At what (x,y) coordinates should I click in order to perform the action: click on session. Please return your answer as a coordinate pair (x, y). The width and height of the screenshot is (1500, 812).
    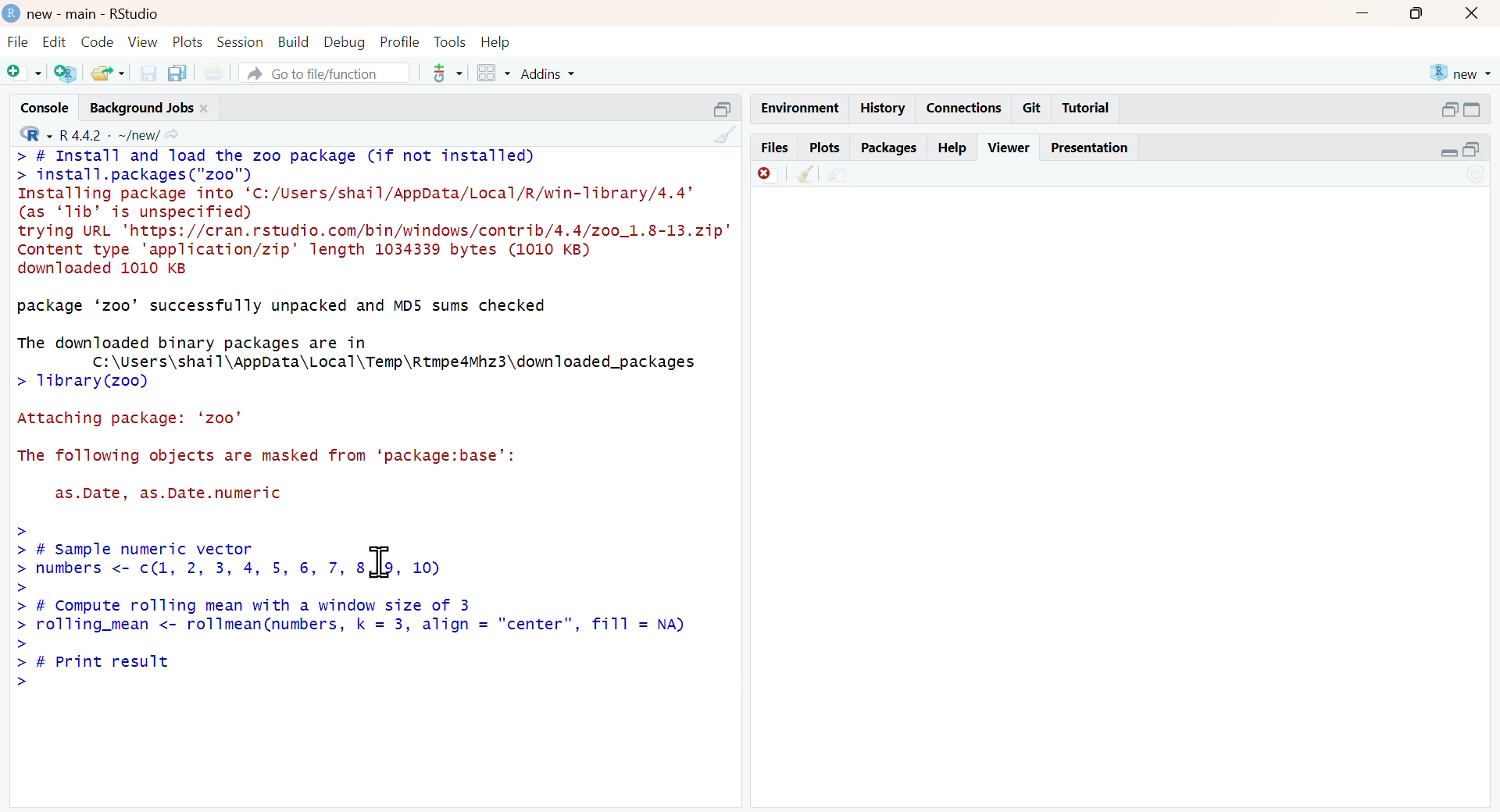
    Looking at the image, I should click on (241, 41).